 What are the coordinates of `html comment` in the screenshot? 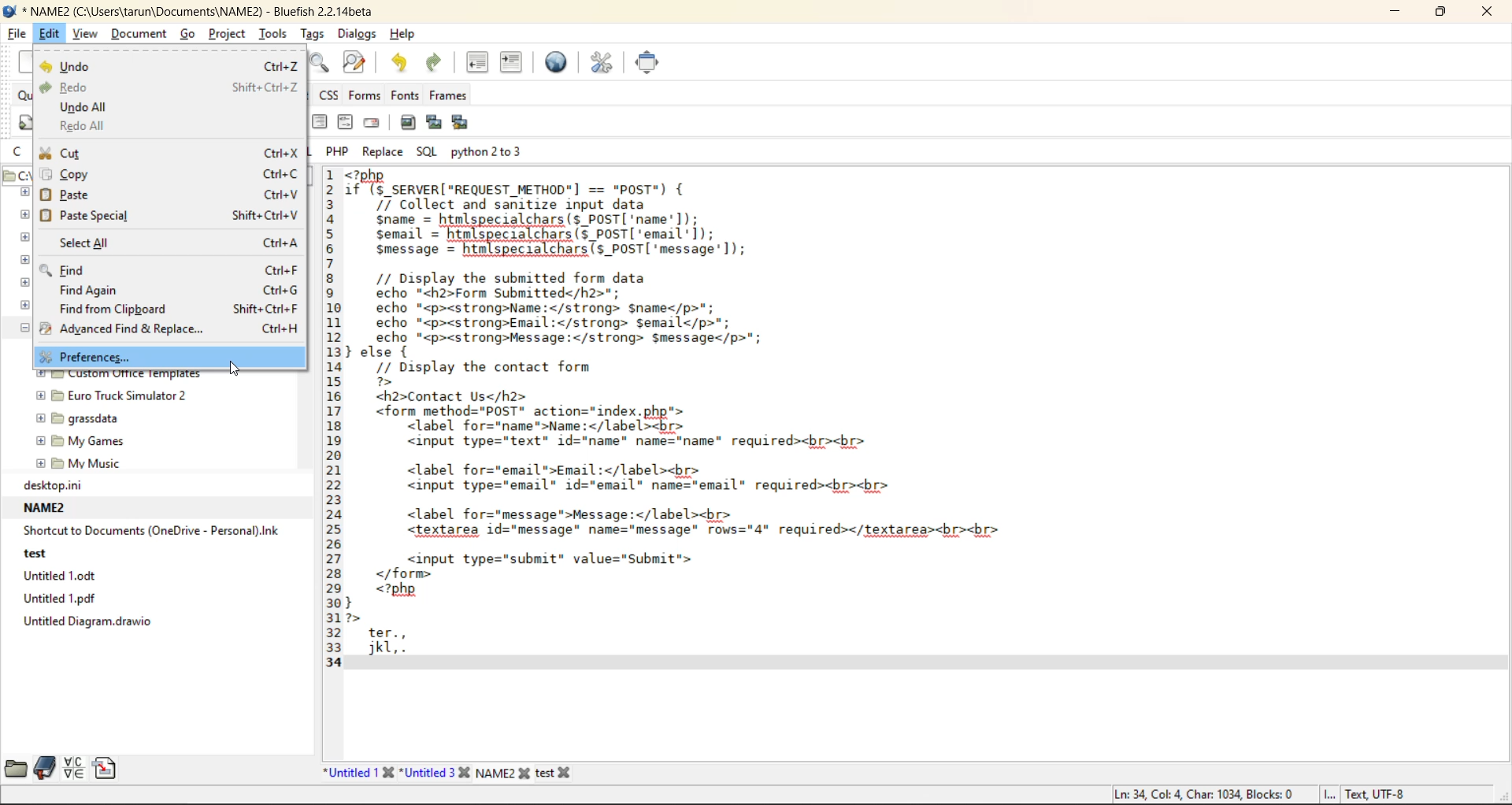 It's located at (348, 121).